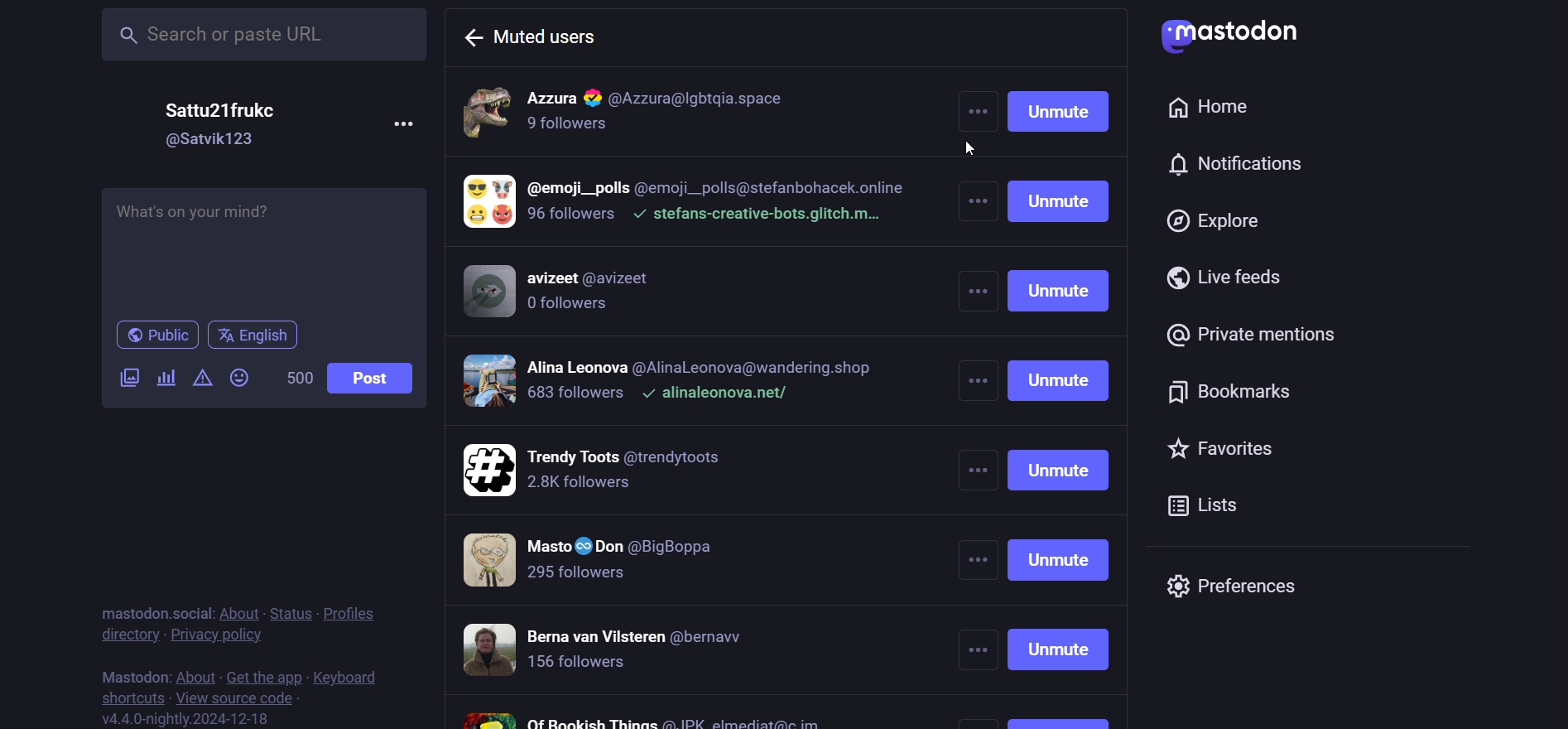 This screenshot has width=1568, height=729. I want to click on source code, so click(243, 698).